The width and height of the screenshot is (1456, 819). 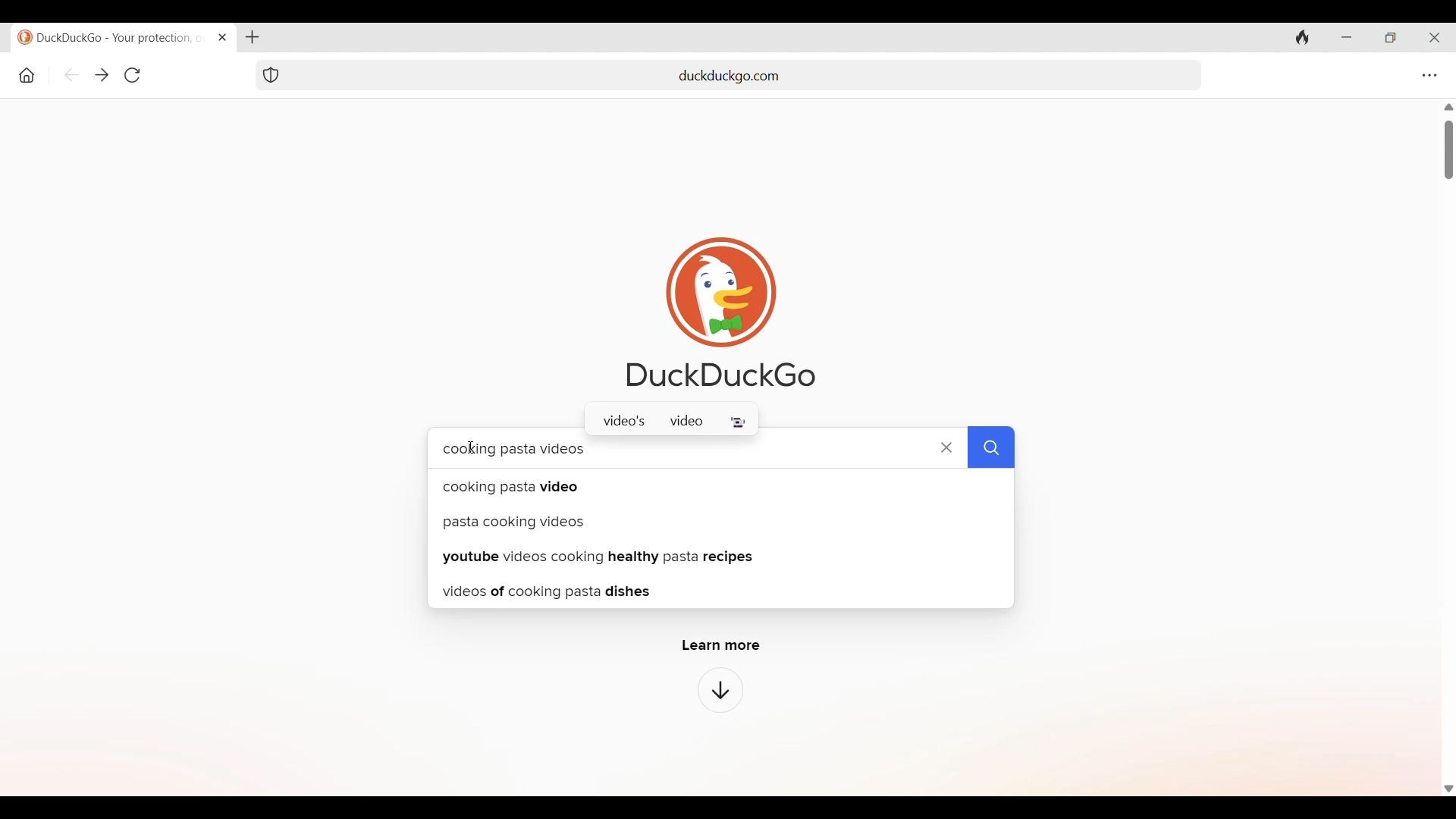 I want to click on Go forward, so click(x=102, y=76).